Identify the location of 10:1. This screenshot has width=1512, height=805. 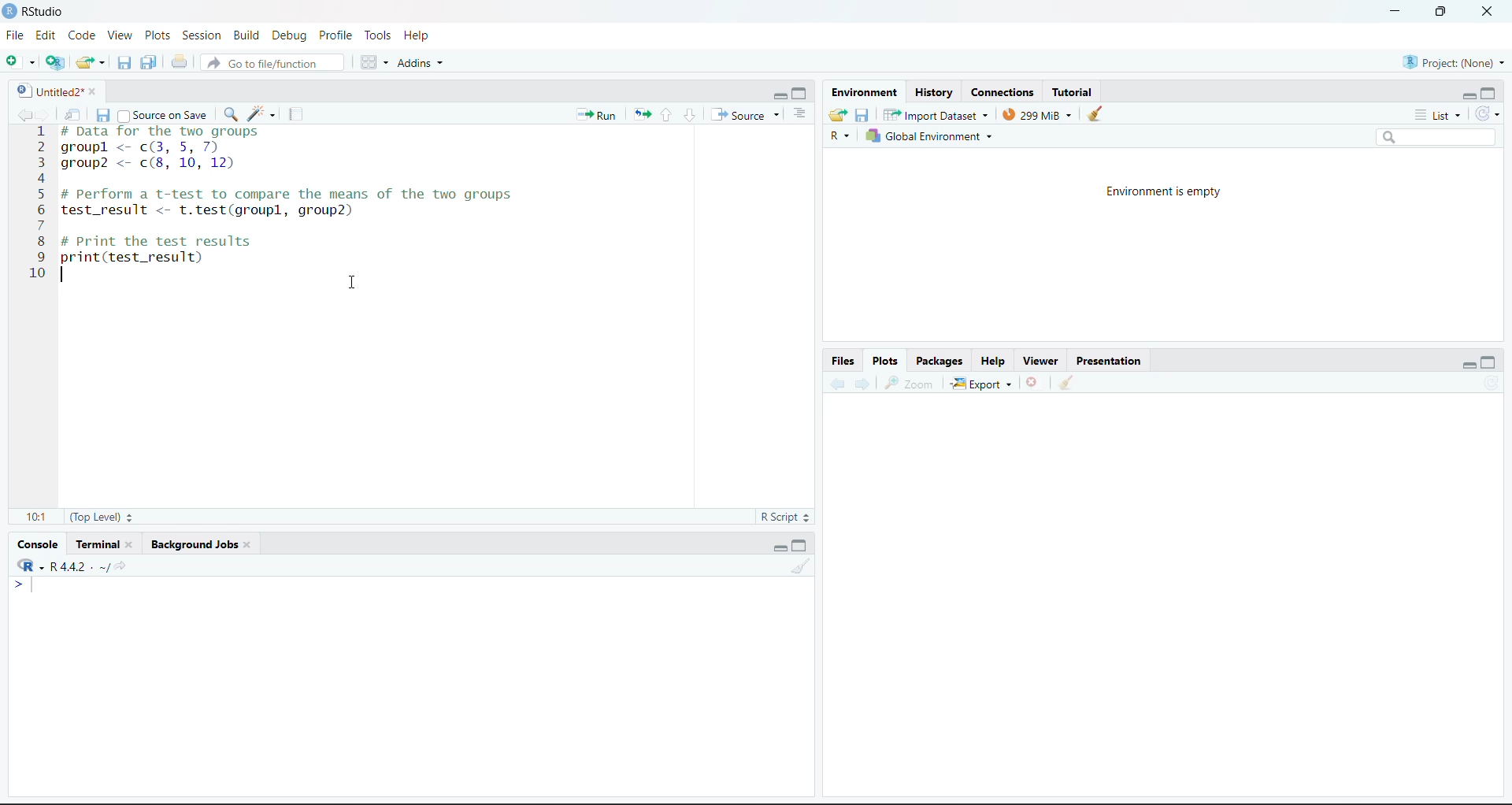
(37, 517).